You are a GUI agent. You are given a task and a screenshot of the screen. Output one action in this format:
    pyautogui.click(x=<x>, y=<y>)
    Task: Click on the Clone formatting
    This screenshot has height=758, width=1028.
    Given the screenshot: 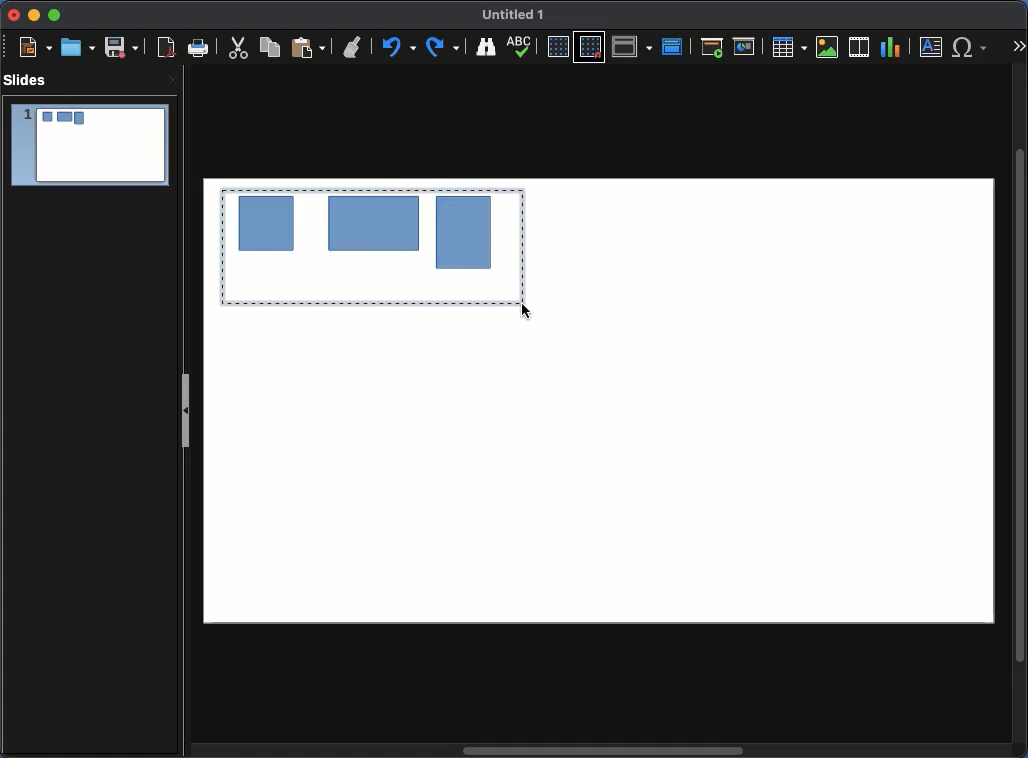 What is the action you would take?
    pyautogui.click(x=354, y=48)
    